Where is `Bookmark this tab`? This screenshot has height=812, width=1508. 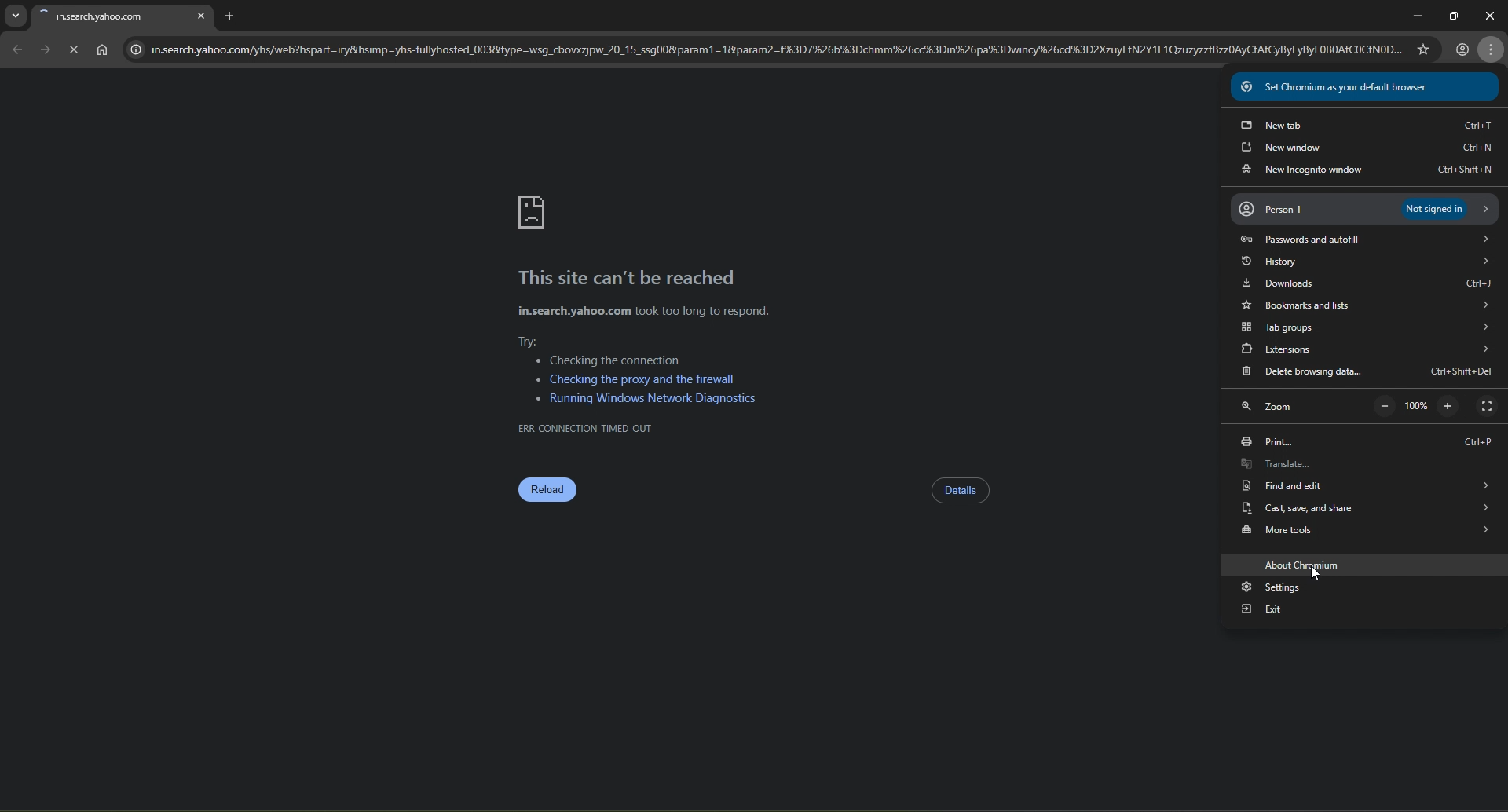
Bookmark this tab is located at coordinates (1422, 48).